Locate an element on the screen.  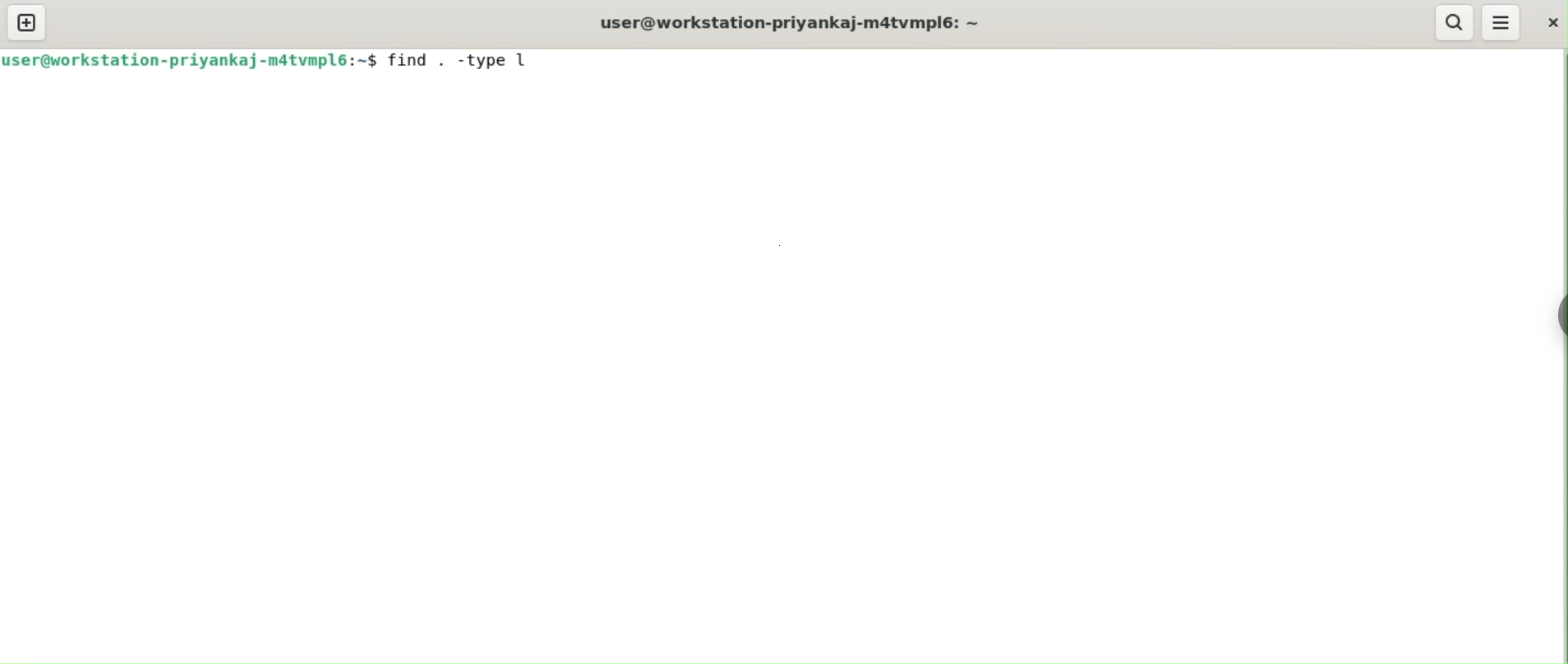
menu is located at coordinates (1503, 22).